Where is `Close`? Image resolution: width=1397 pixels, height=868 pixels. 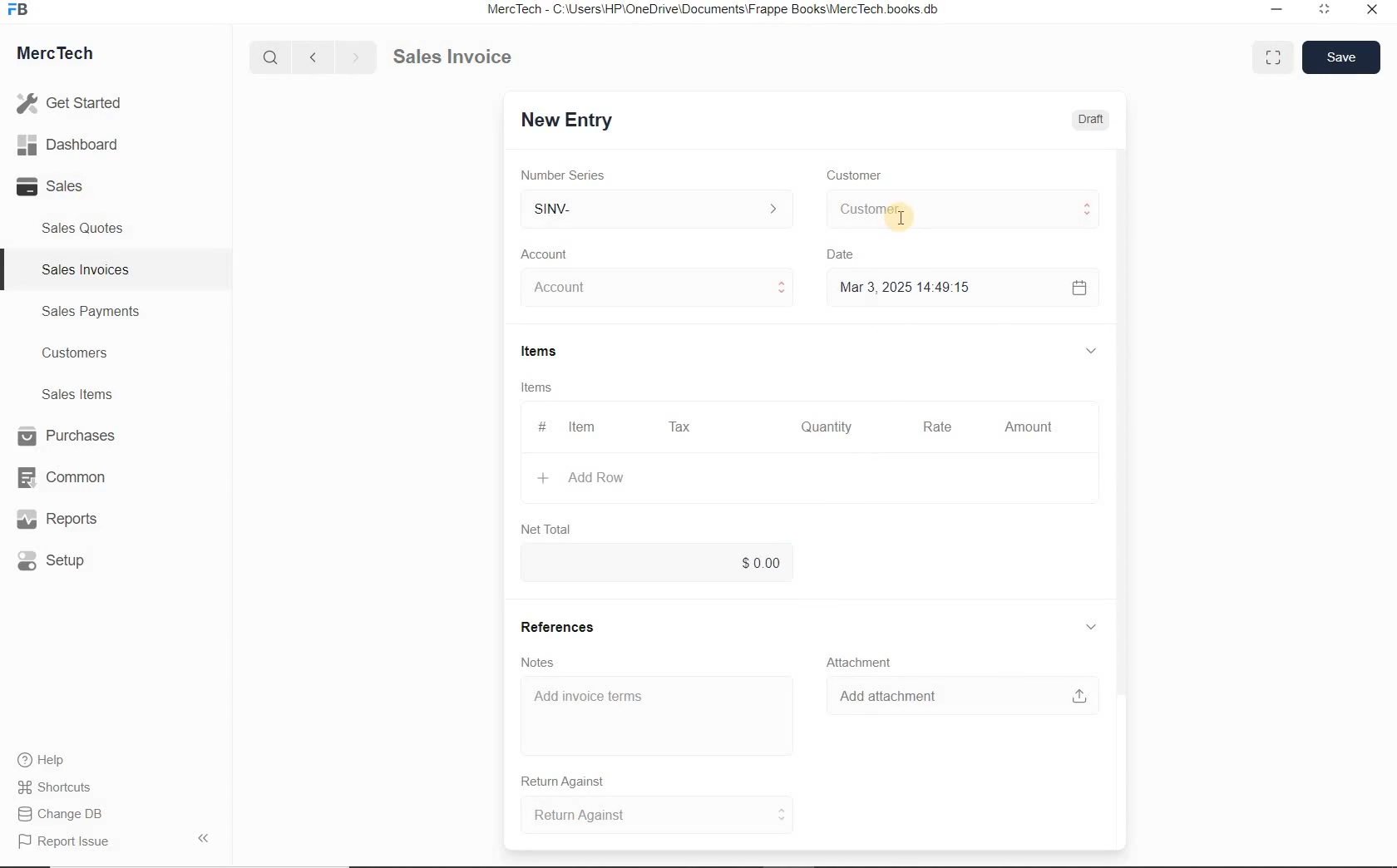
Close is located at coordinates (1370, 12).